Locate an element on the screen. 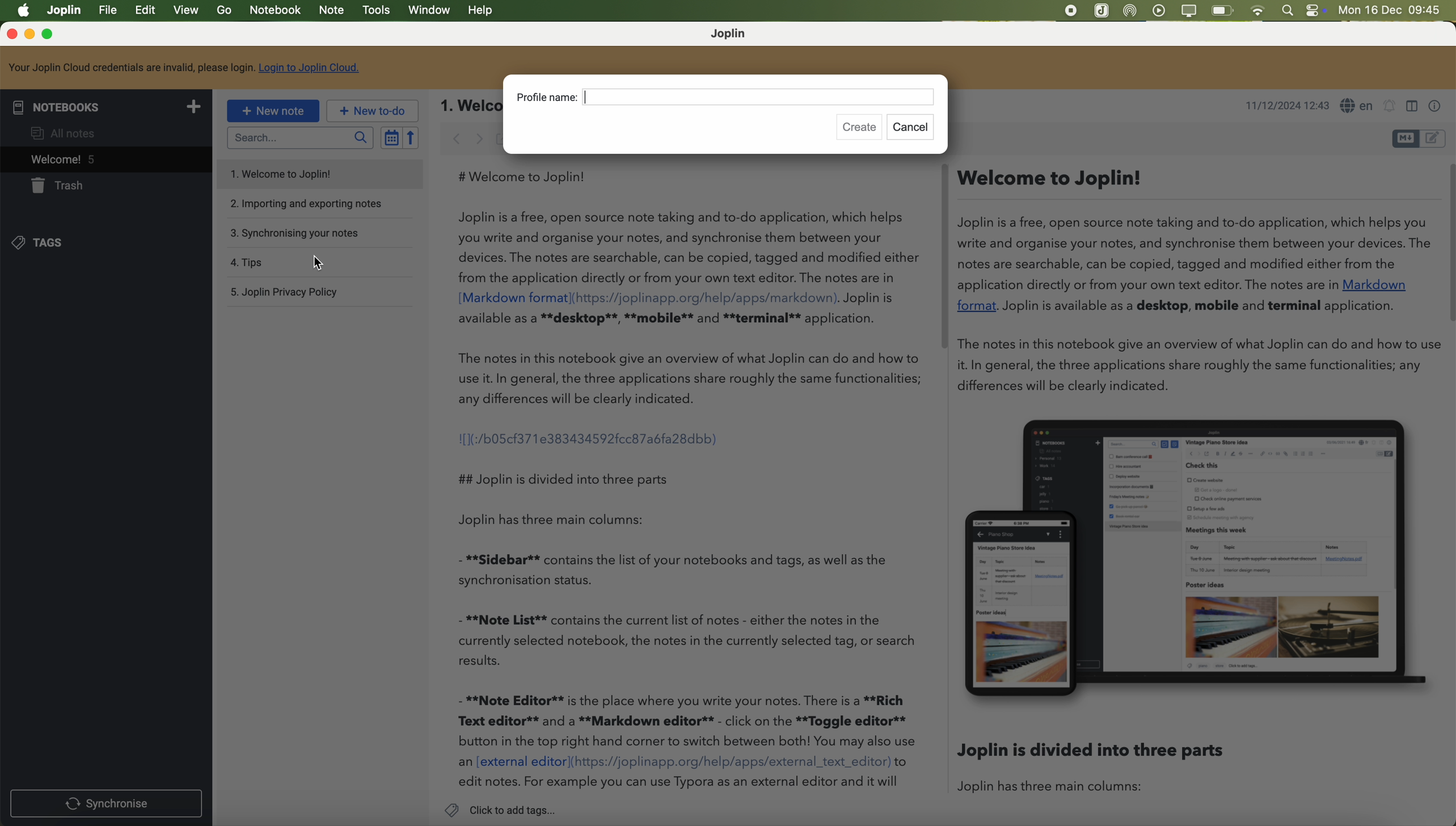  stop recording is located at coordinates (1069, 11).